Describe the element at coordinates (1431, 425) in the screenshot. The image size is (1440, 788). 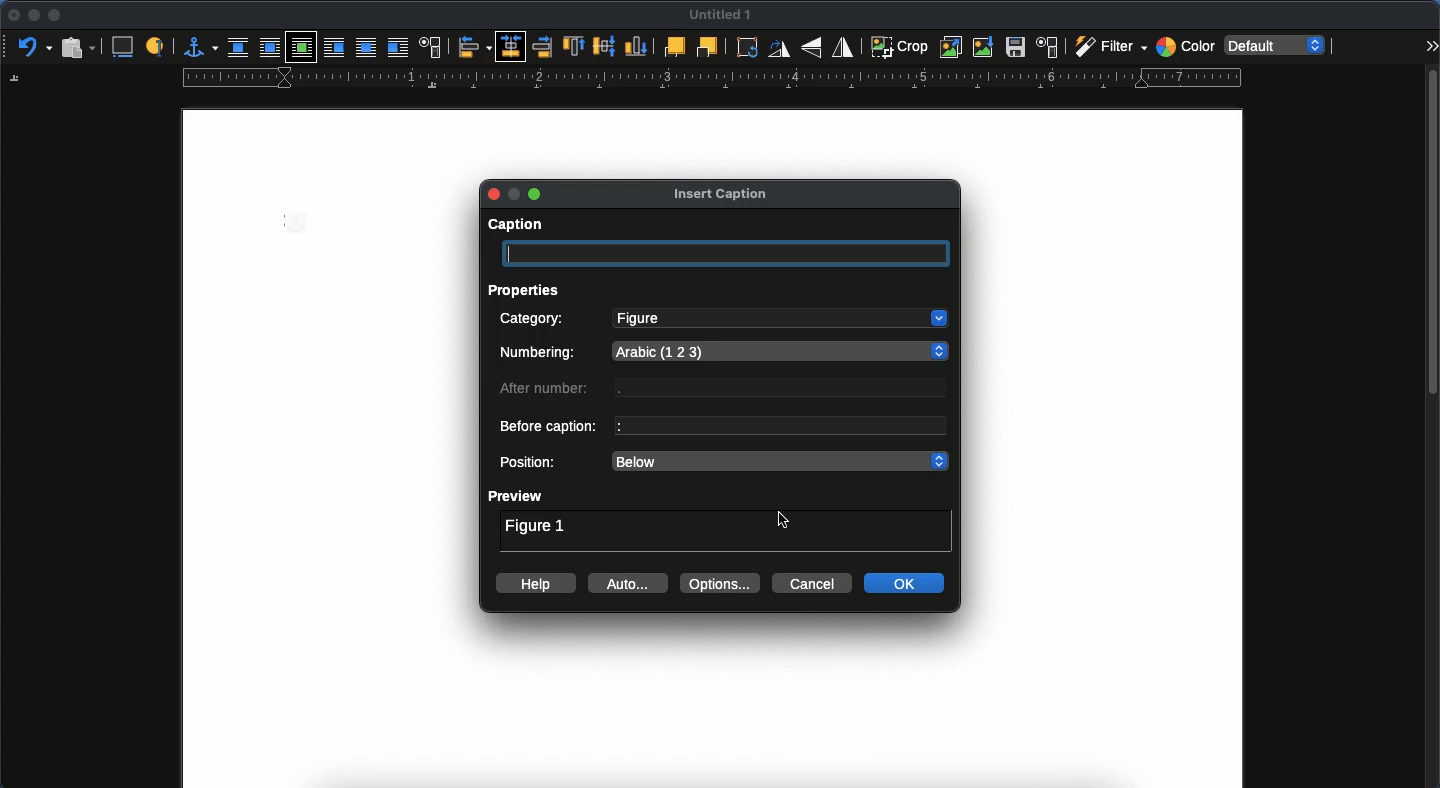
I see `scroll` at that location.